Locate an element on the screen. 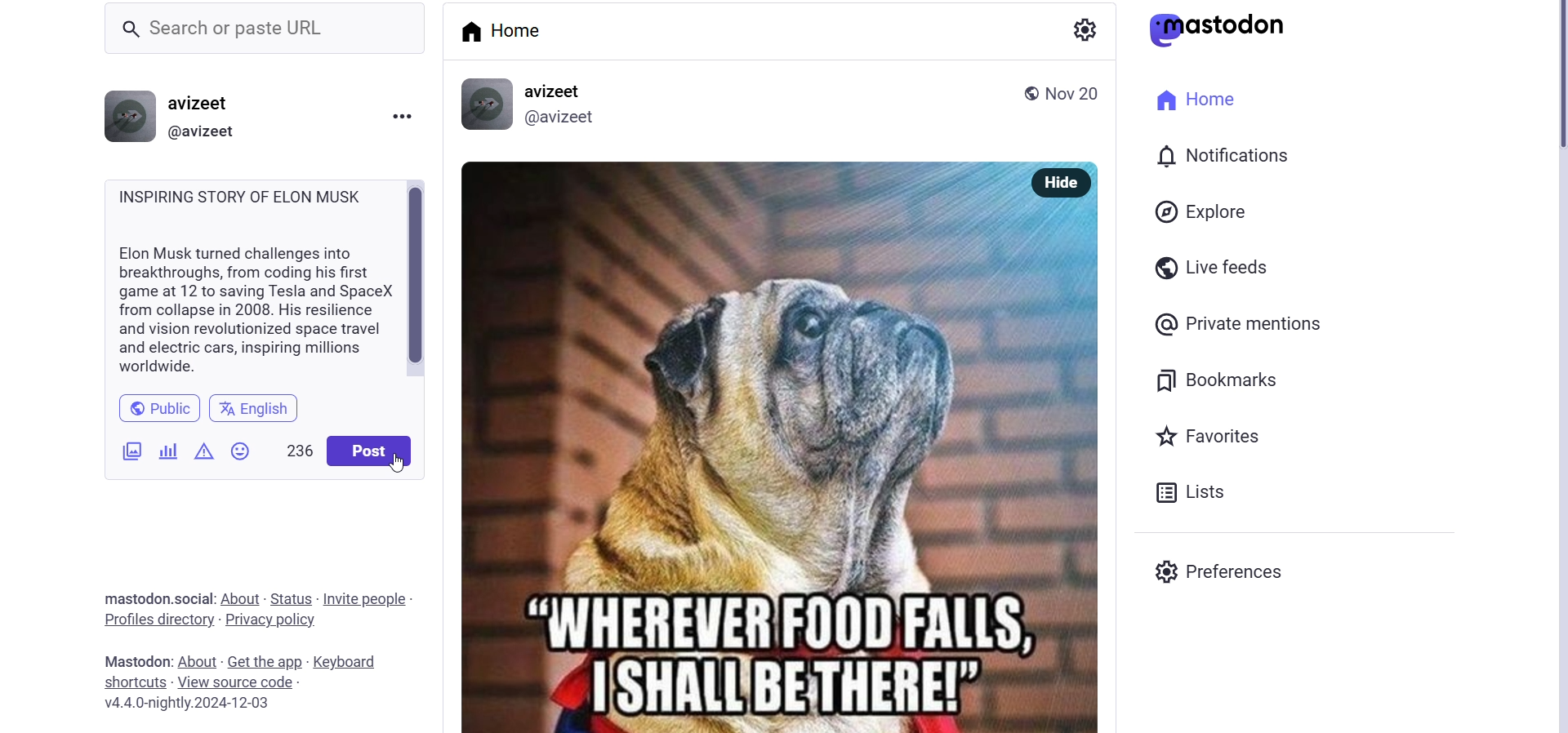 The width and height of the screenshot is (1568, 733). text is located at coordinates (150, 598).